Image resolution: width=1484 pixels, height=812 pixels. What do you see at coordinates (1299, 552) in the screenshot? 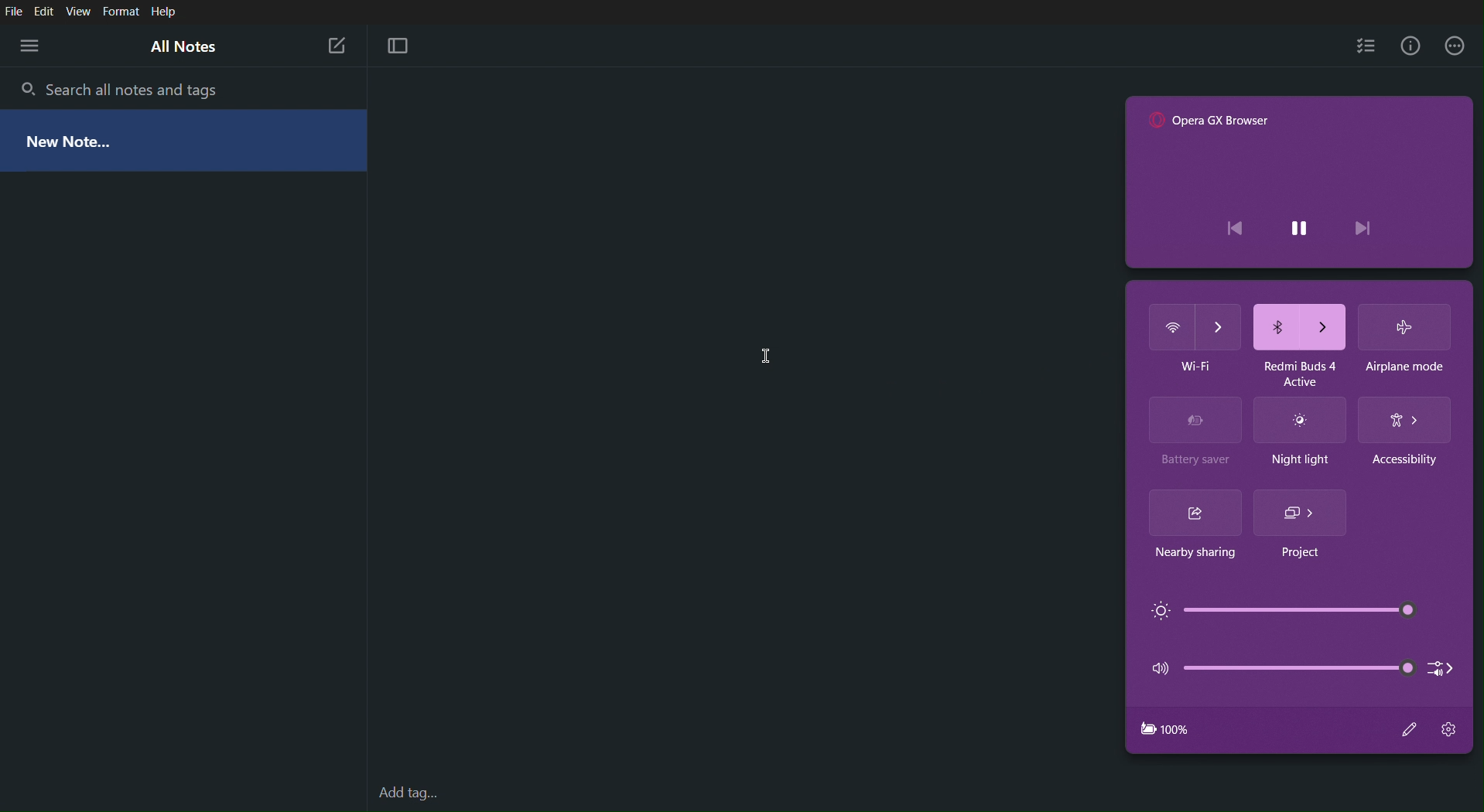
I see `Project` at bounding box center [1299, 552].